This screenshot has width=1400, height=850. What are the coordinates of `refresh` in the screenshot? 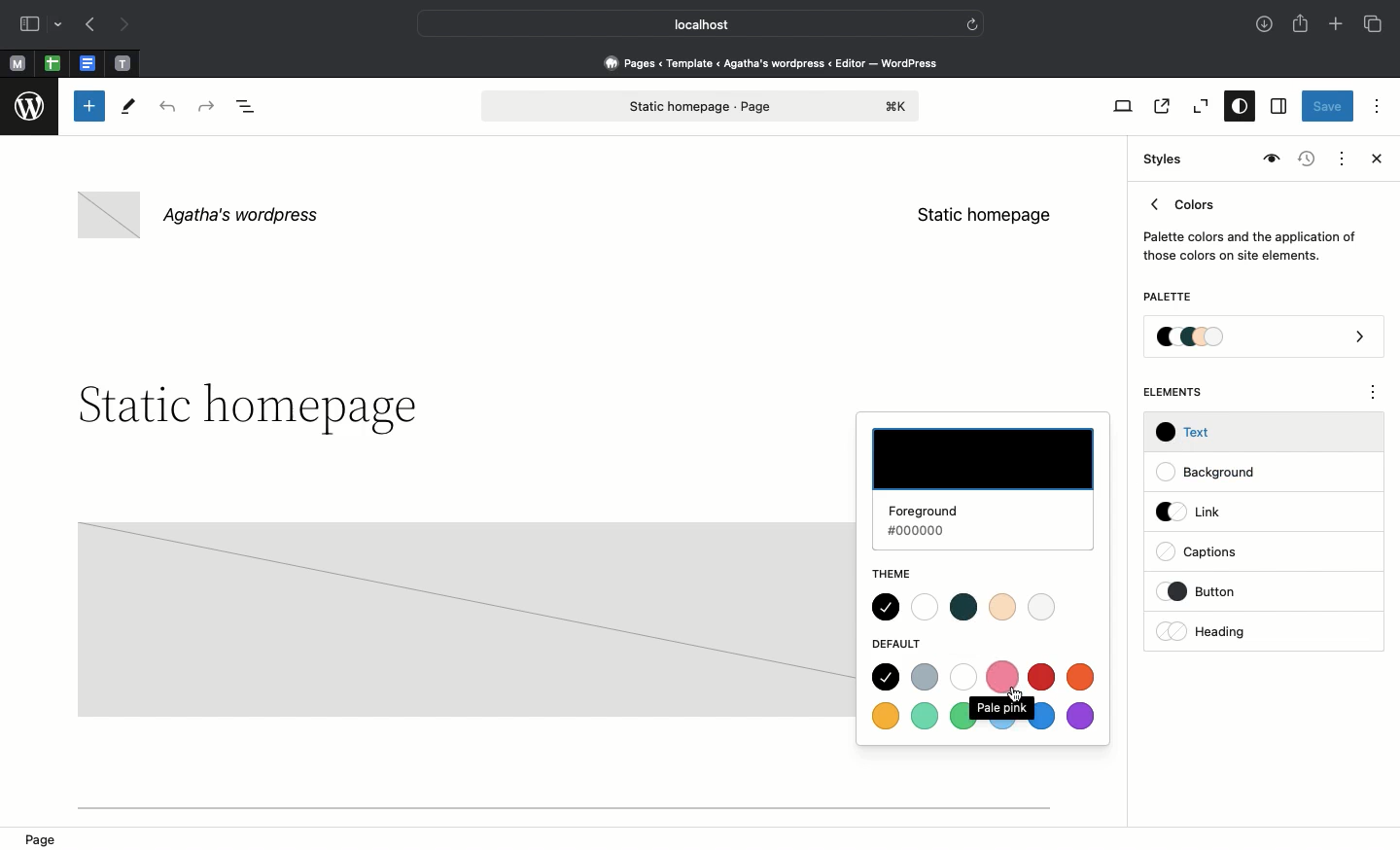 It's located at (972, 22).